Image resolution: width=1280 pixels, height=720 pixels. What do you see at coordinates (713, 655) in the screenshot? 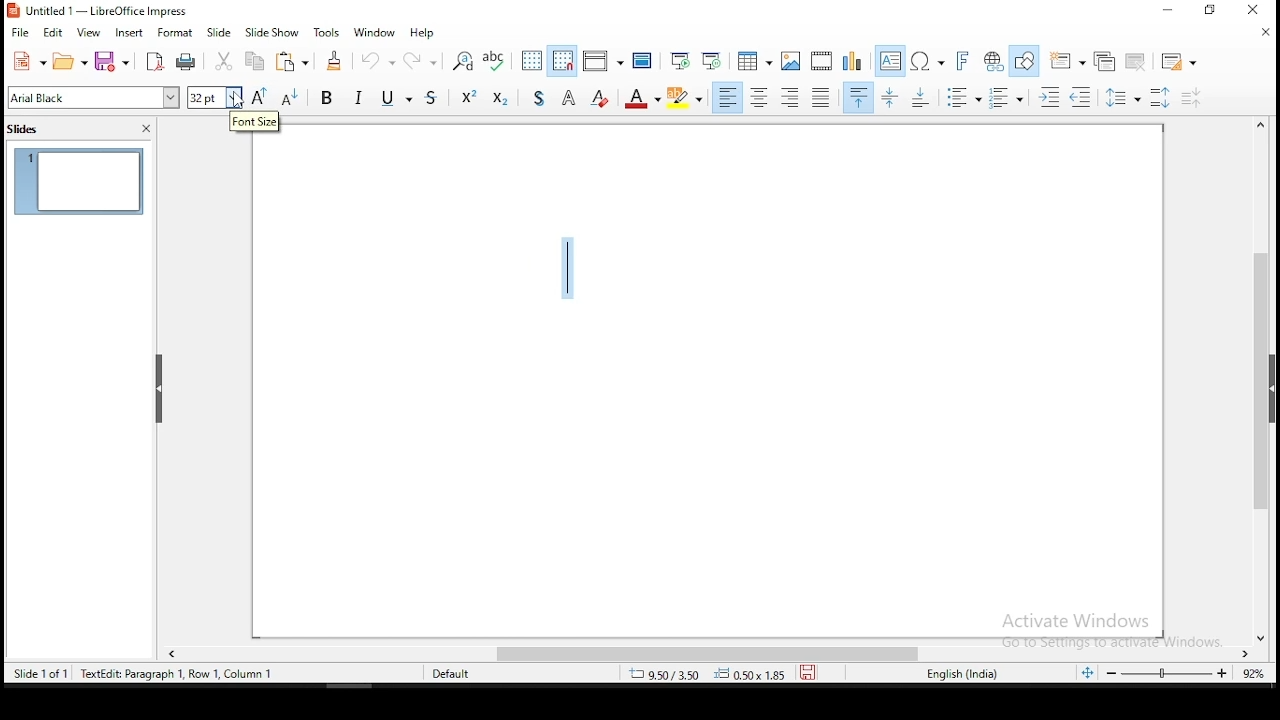
I see `scroll bar` at bounding box center [713, 655].